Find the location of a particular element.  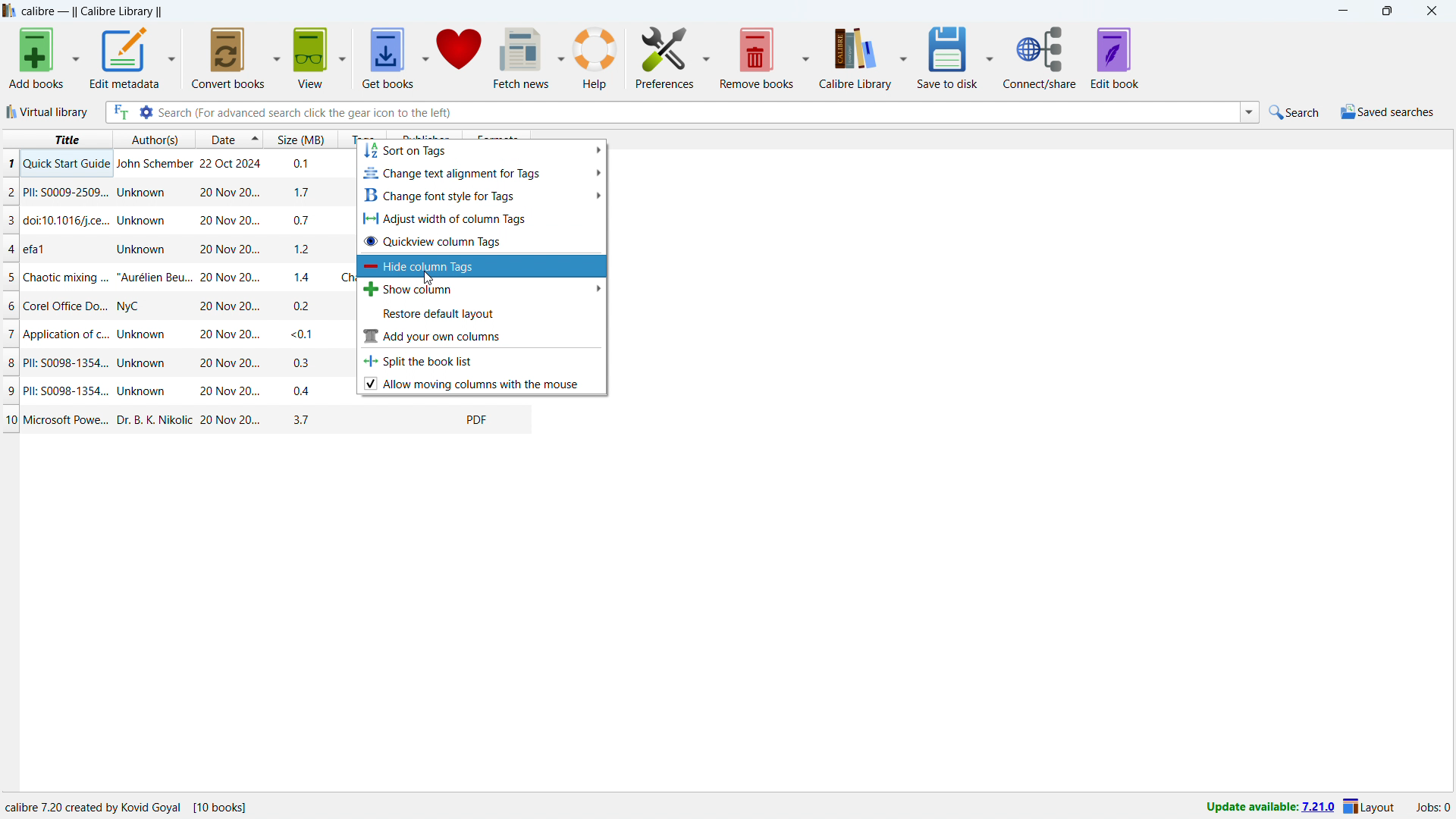

title is located at coordinates (92, 11).